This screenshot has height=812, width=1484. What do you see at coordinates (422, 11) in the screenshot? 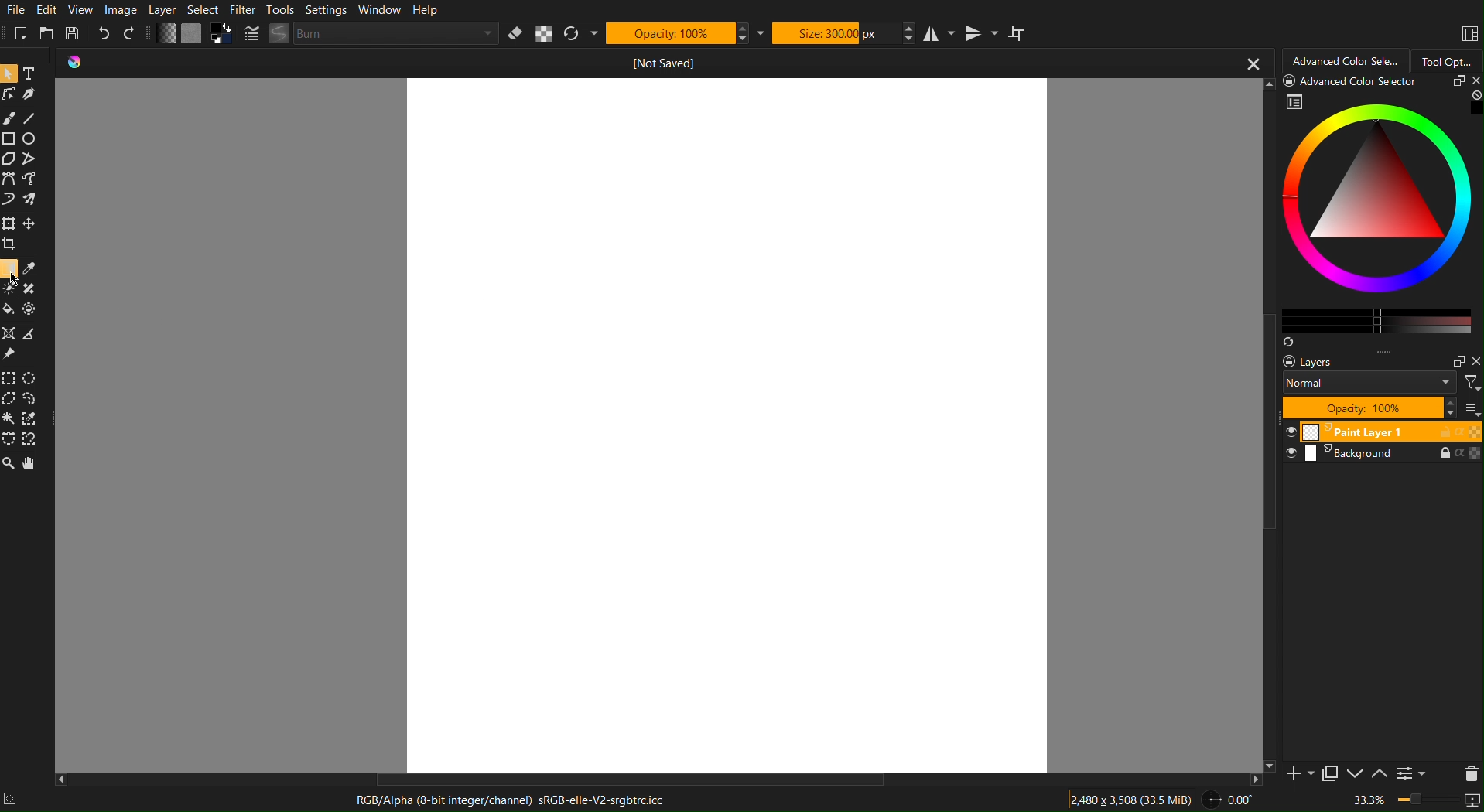
I see `Help` at bounding box center [422, 11].